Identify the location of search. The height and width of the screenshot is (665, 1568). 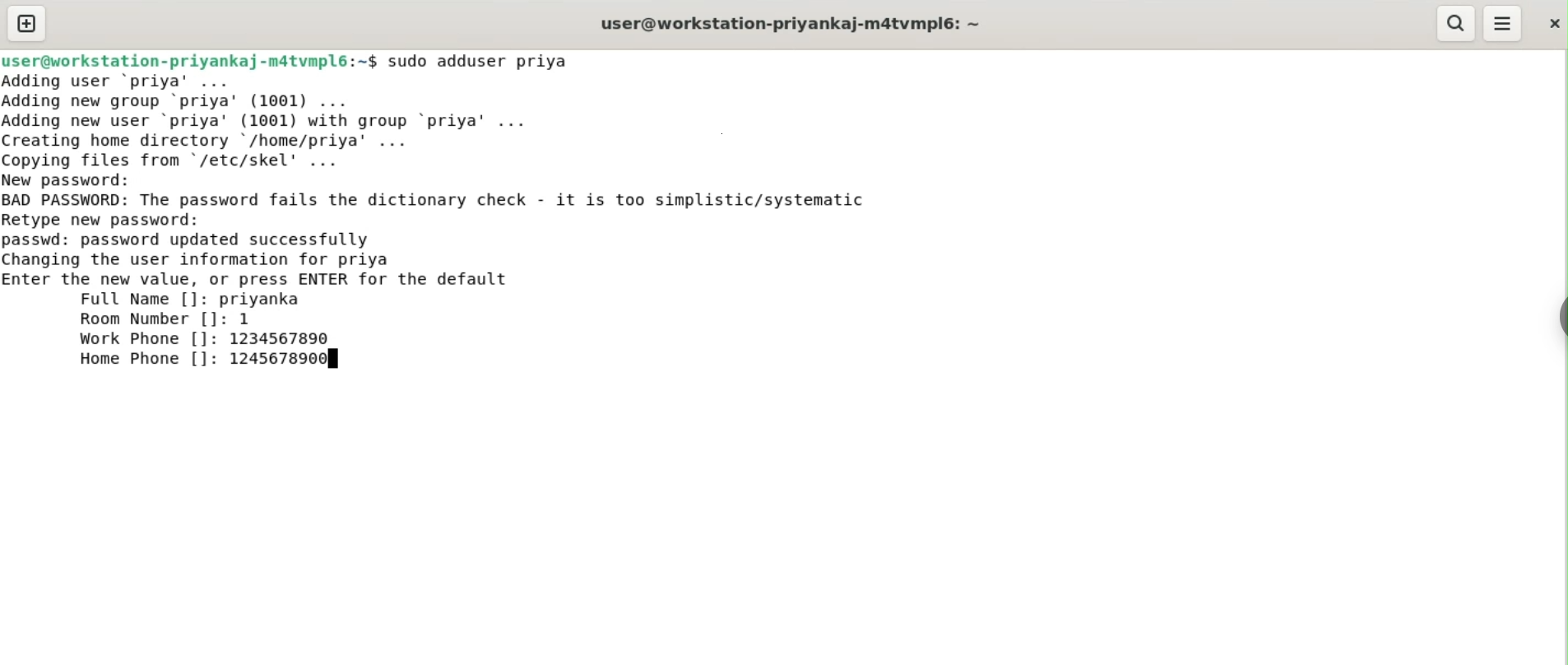
(1454, 23).